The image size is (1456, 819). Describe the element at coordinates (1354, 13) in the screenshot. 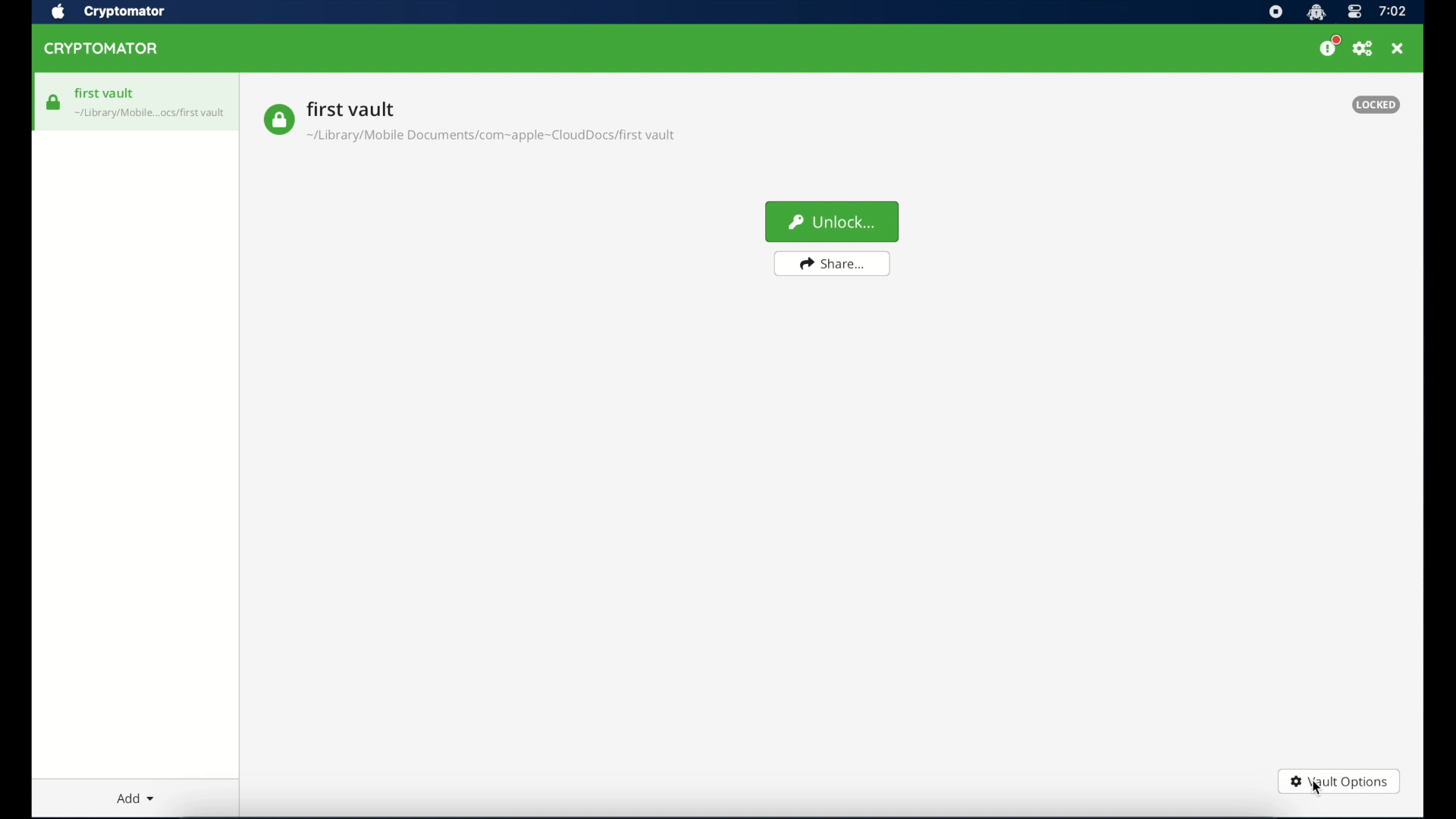

I see `control center` at that location.